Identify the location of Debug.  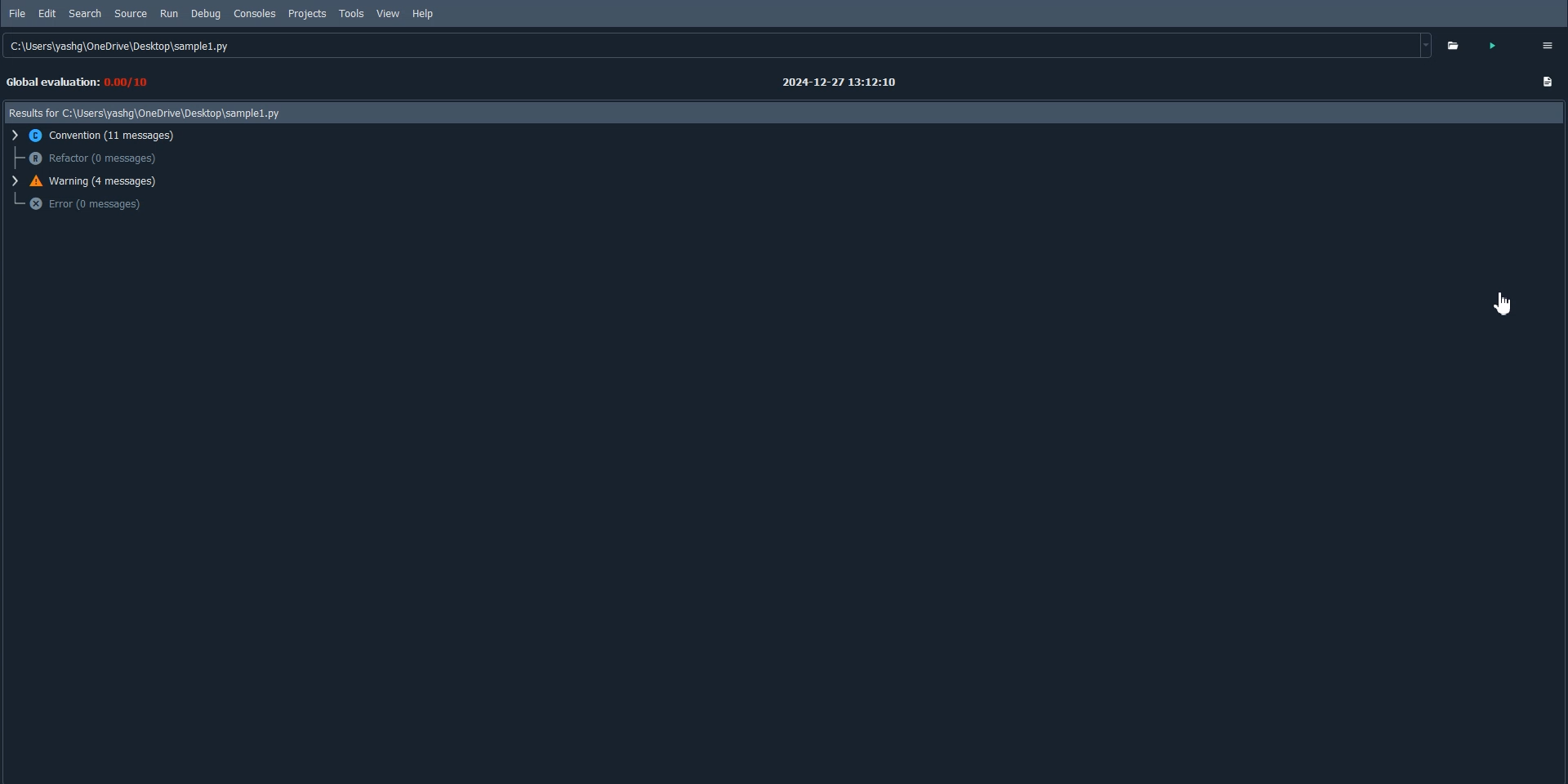
(205, 14).